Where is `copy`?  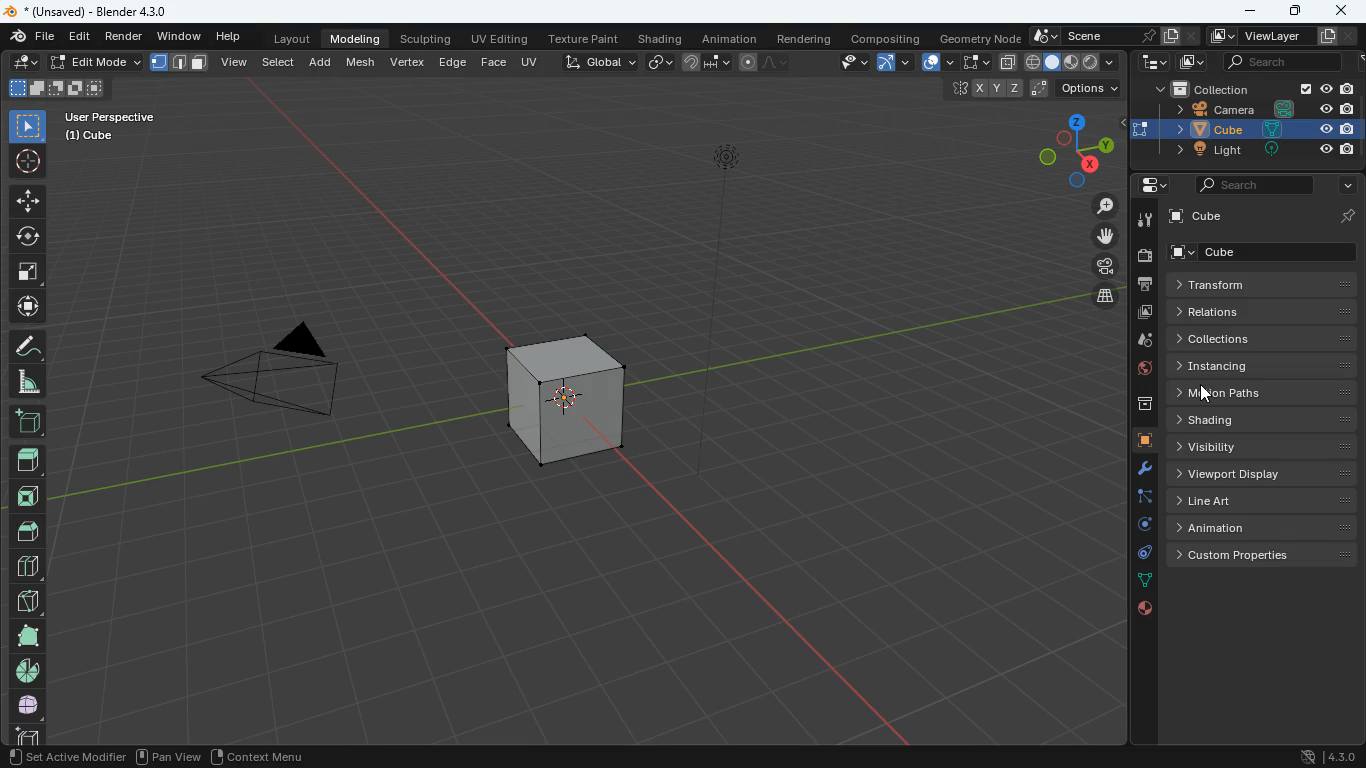
copy is located at coordinates (660, 60).